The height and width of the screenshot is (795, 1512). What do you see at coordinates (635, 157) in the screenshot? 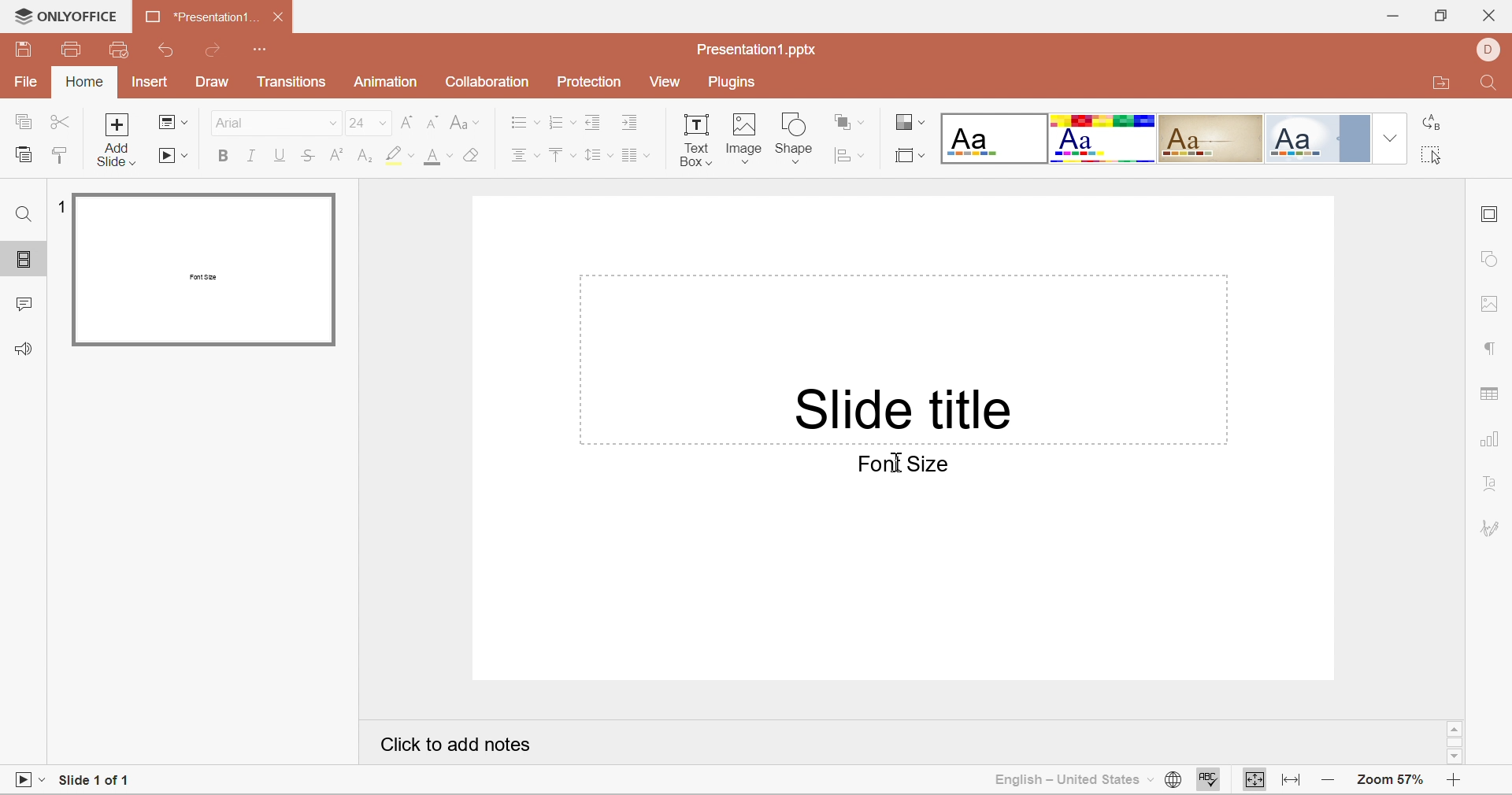
I see `Merge and center` at bounding box center [635, 157].